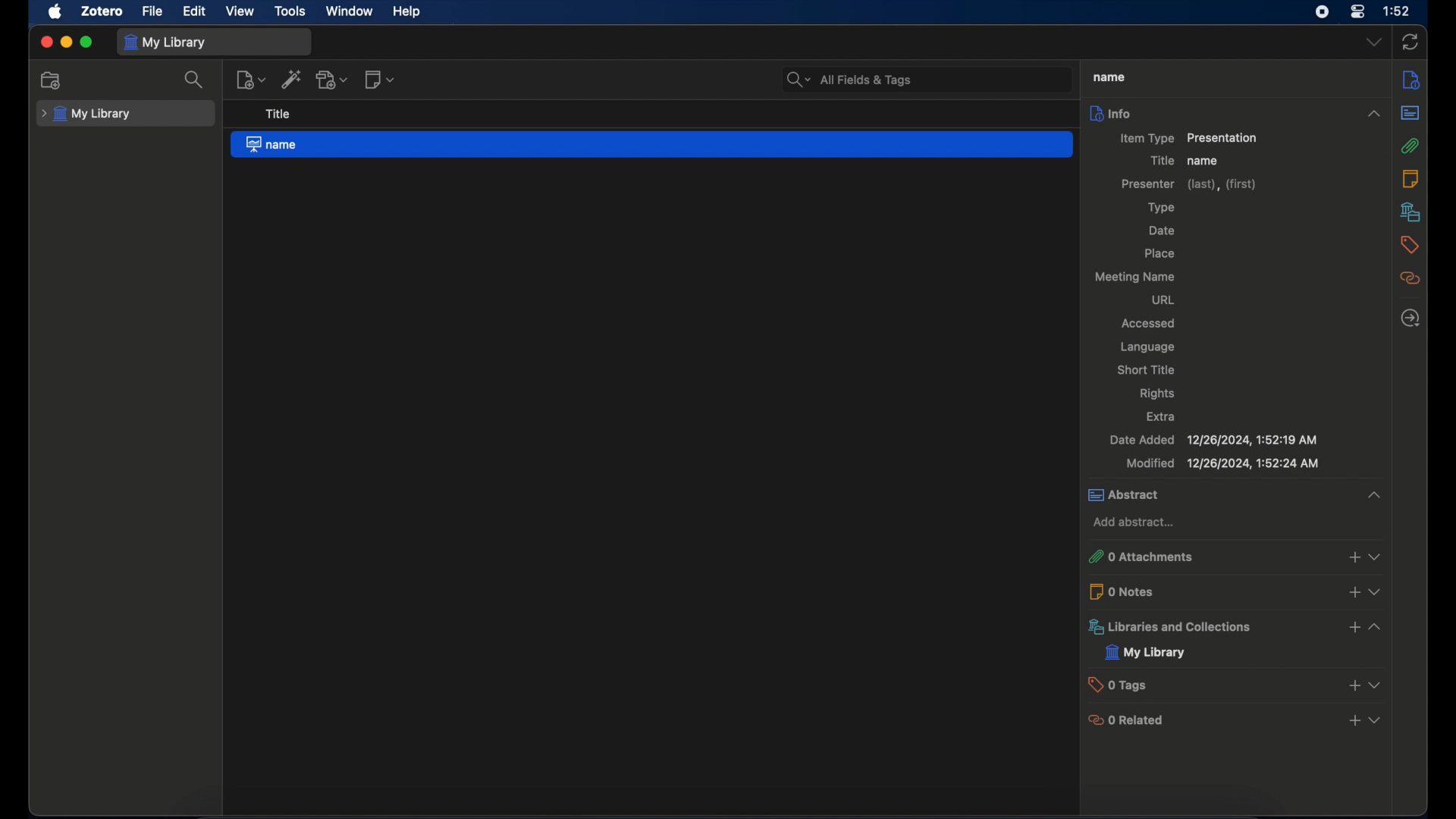 Image resolution: width=1456 pixels, height=819 pixels. I want to click on item type presentation, so click(1187, 139).